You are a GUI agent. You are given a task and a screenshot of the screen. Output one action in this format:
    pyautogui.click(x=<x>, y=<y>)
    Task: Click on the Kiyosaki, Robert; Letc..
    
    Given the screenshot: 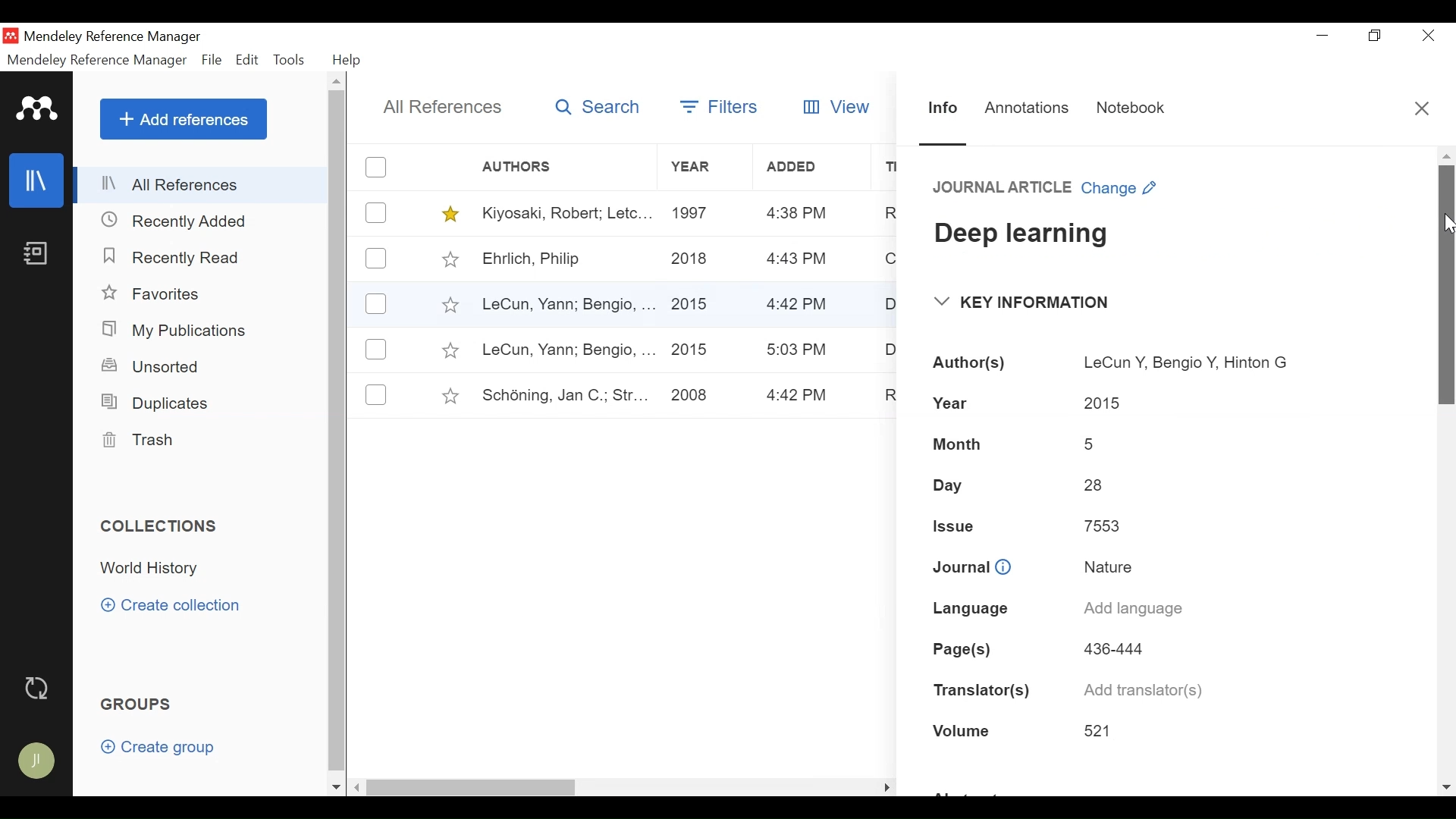 What is the action you would take?
    pyautogui.click(x=568, y=212)
    